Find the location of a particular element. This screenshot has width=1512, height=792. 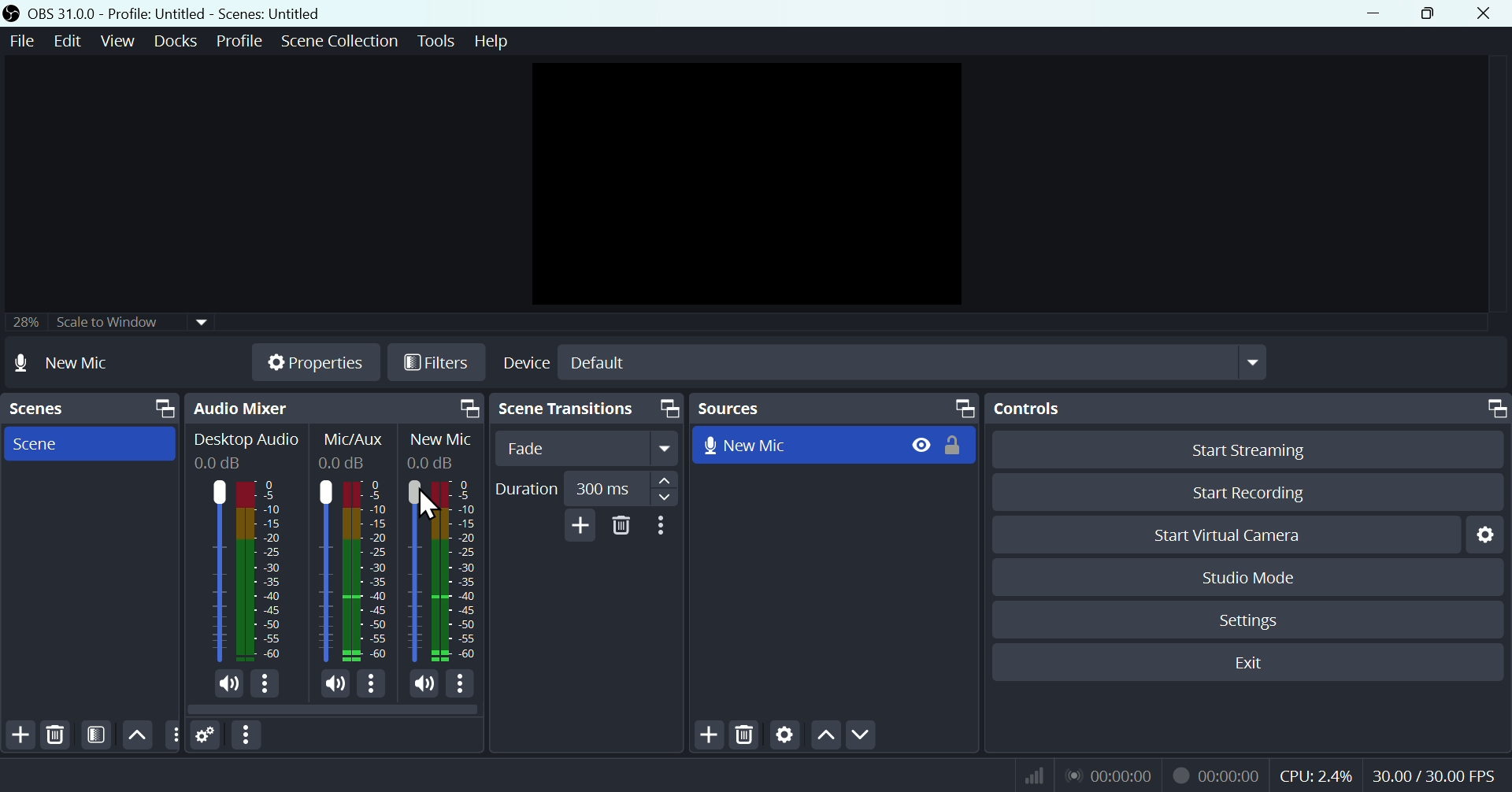

Settings is located at coordinates (206, 736).